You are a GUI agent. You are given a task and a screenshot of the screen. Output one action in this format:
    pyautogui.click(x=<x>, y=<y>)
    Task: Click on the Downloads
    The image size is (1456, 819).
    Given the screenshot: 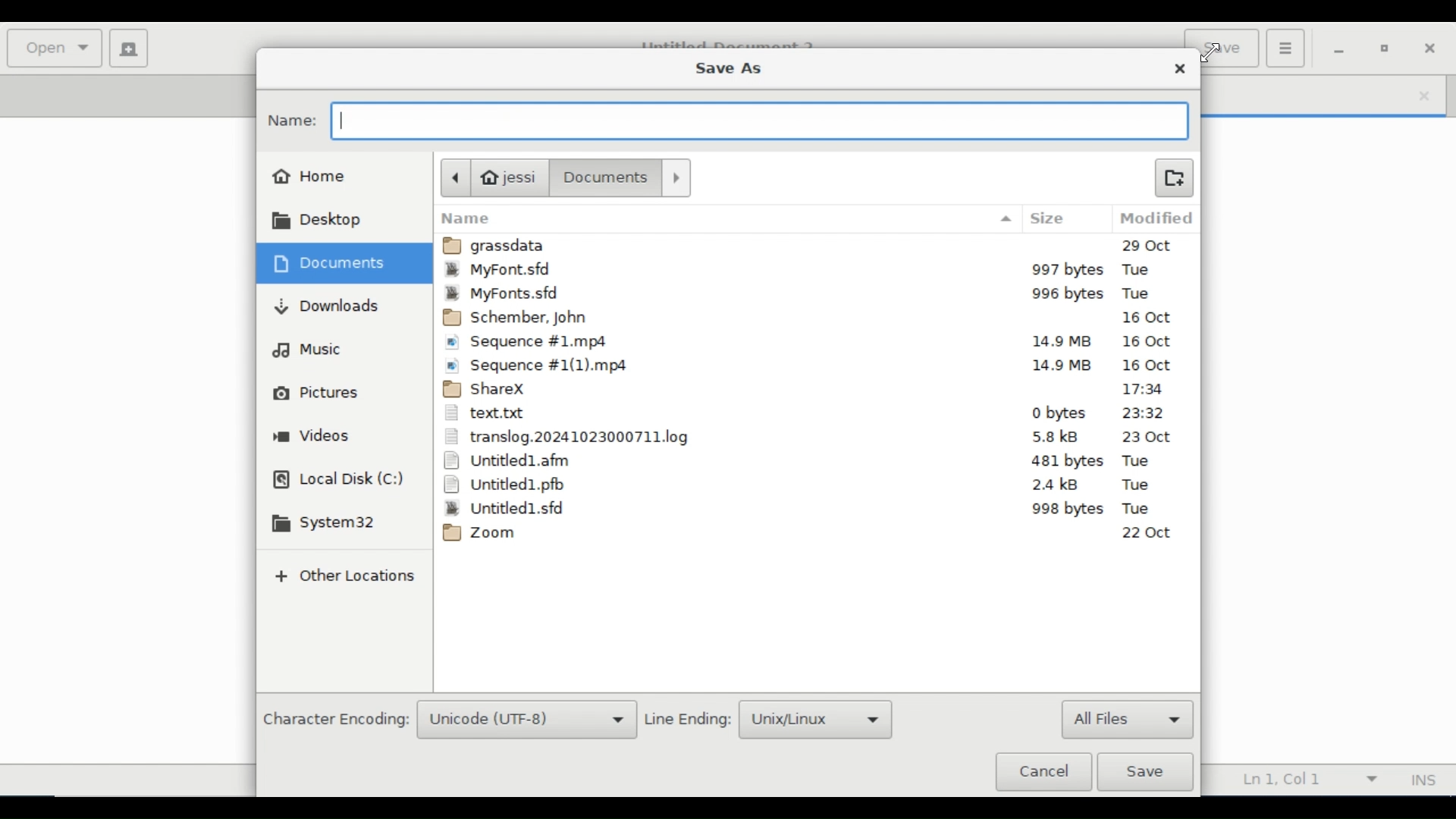 What is the action you would take?
    pyautogui.click(x=324, y=309)
    